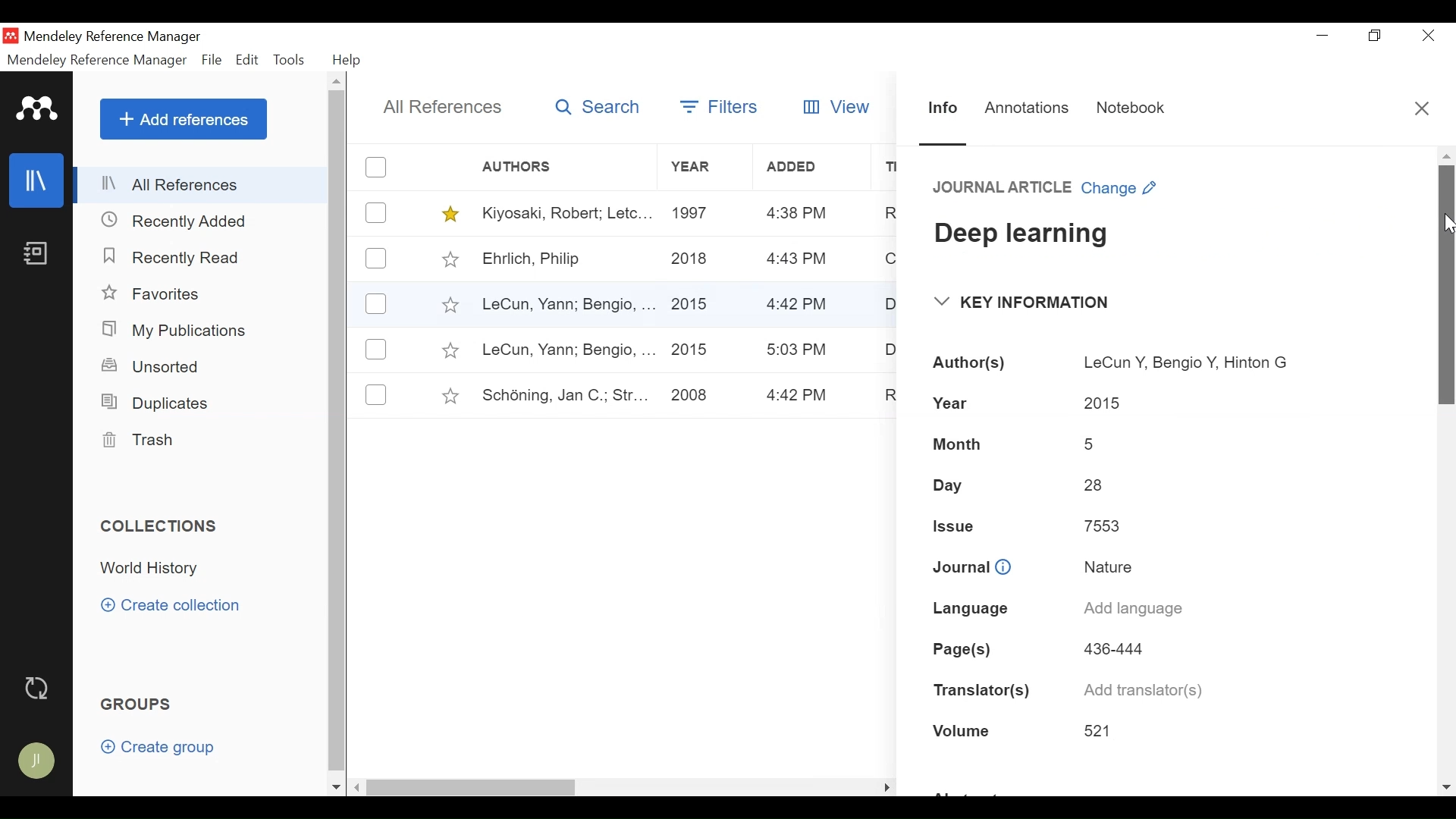 This screenshot has width=1456, height=819. I want to click on Avatar, so click(38, 762).